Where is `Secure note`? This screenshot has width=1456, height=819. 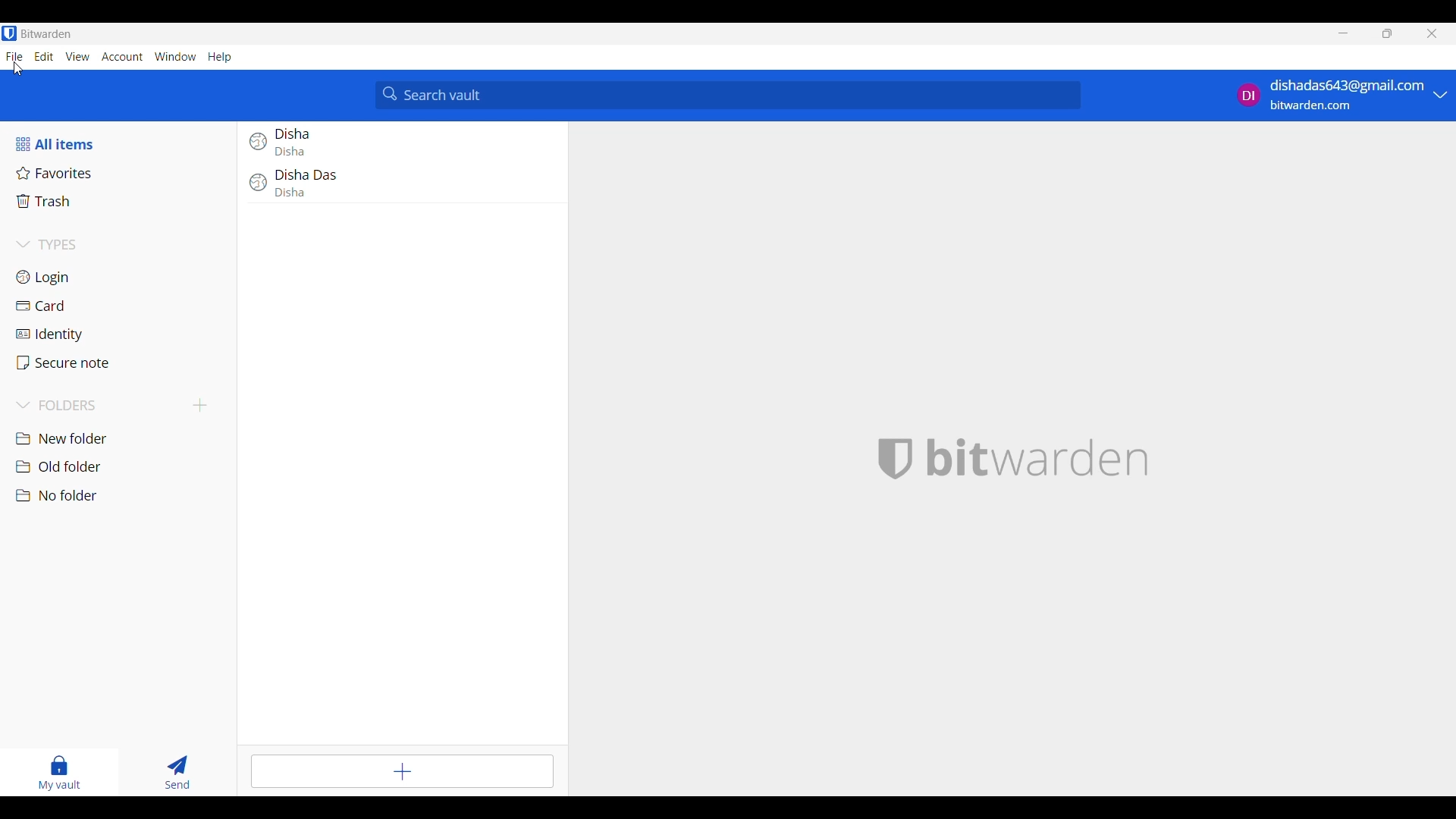 Secure note is located at coordinates (122, 363).